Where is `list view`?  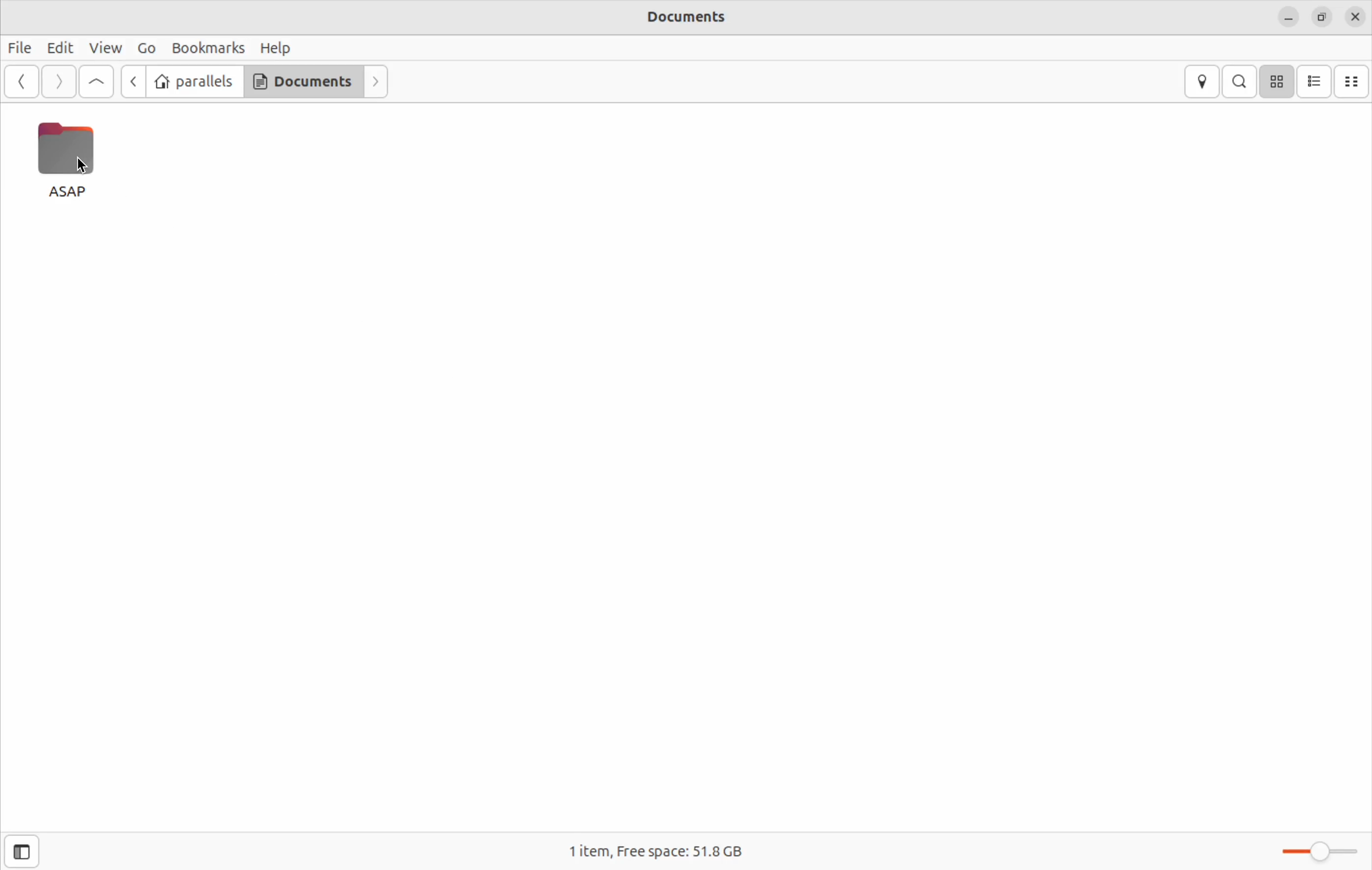 list view is located at coordinates (1317, 81).